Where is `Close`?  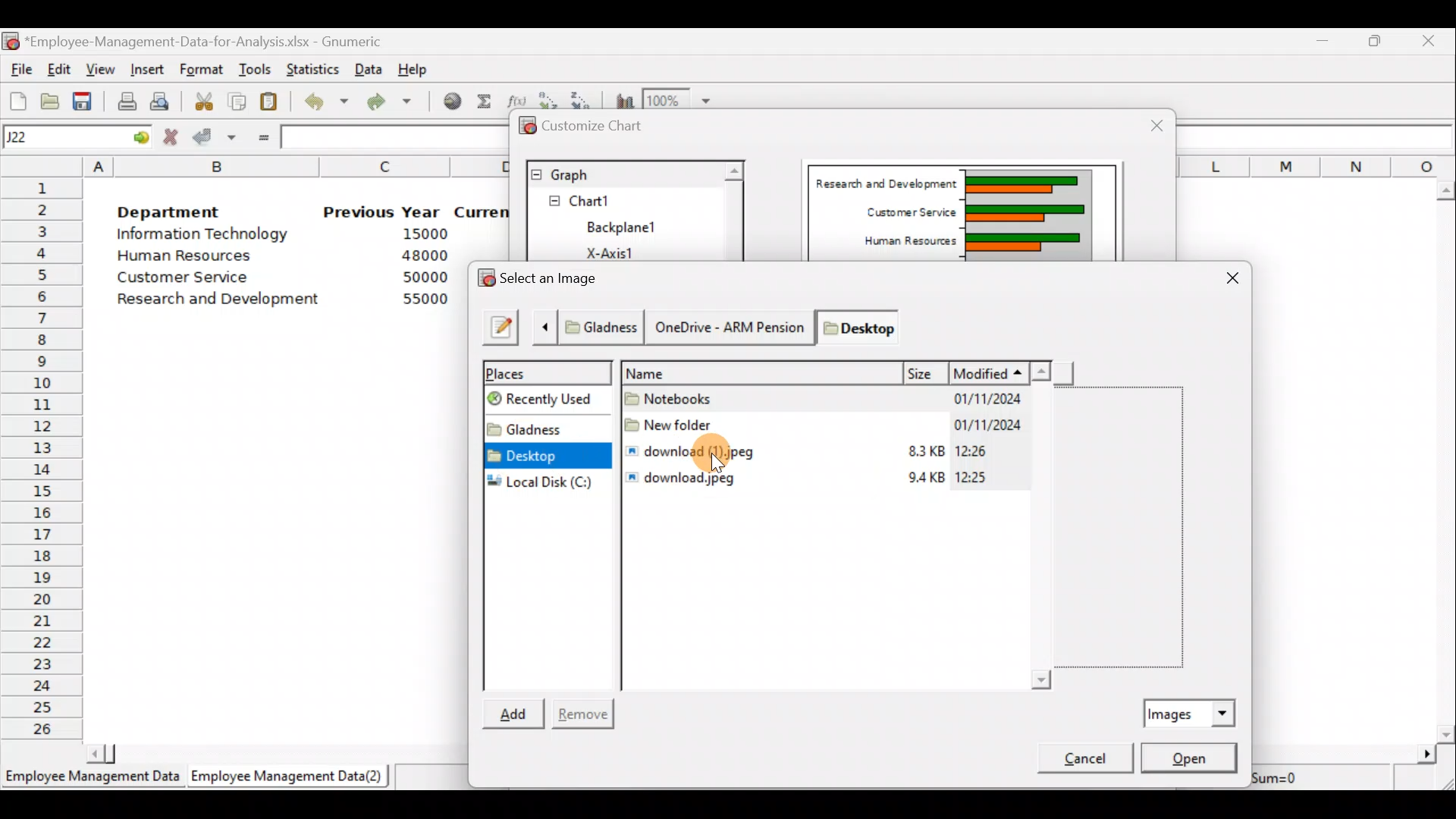
Close is located at coordinates (1228, 279).